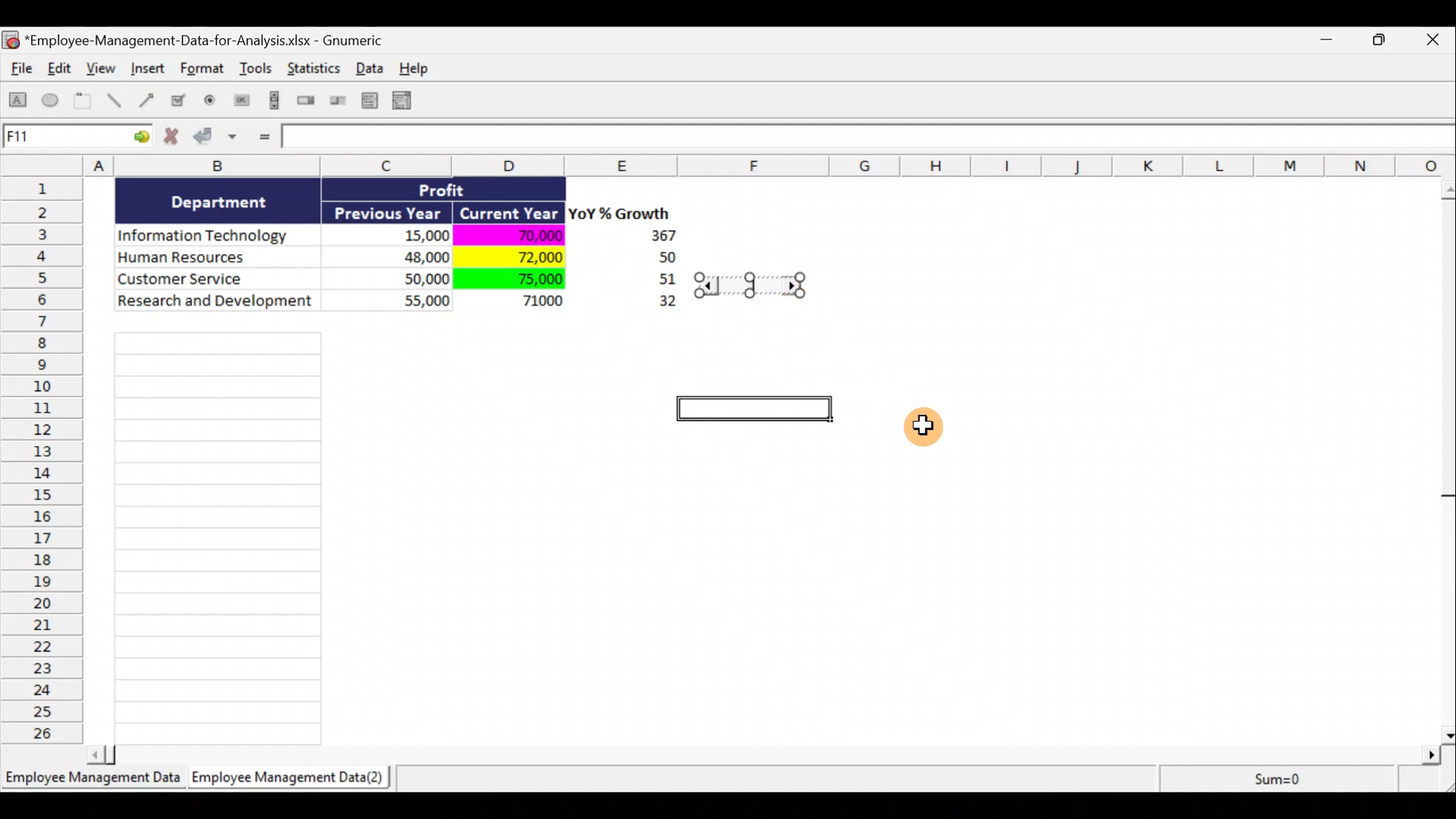 Image resolution: width=1456 pixels, height=819 pixels. I want to click on selected cell, so click(758, 410).